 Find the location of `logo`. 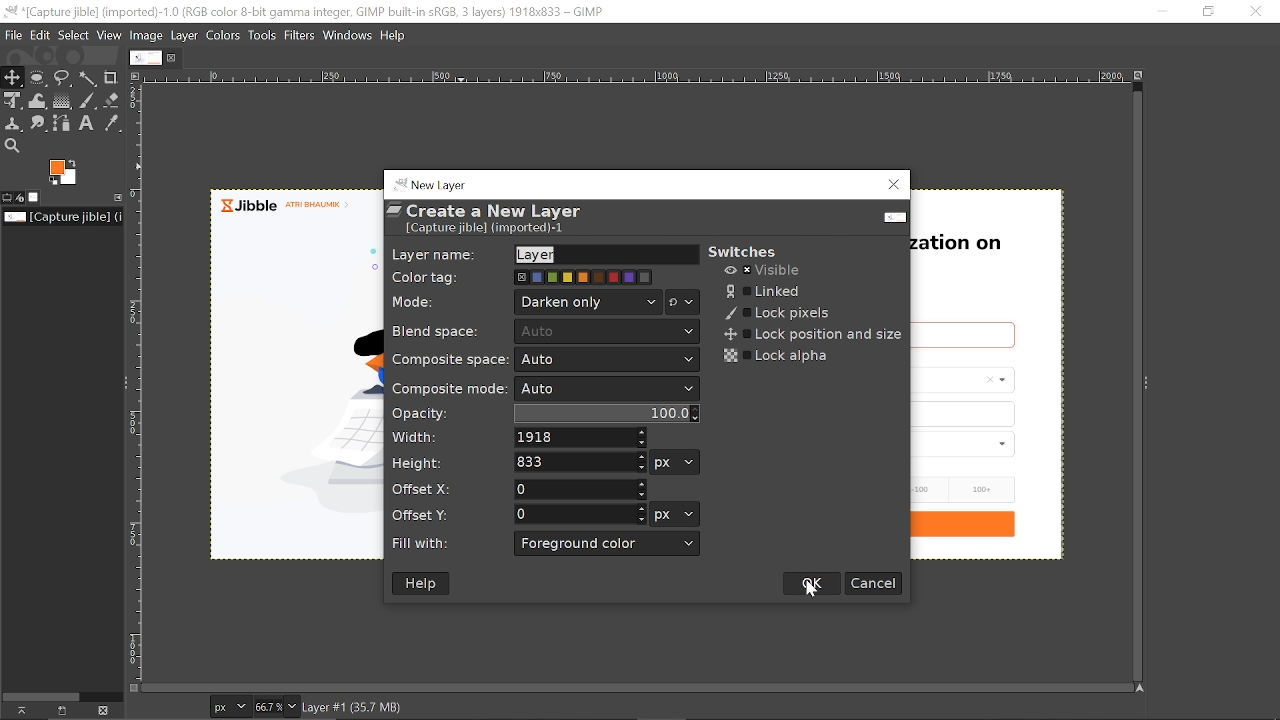

logo is located at coordinates (891, 219).